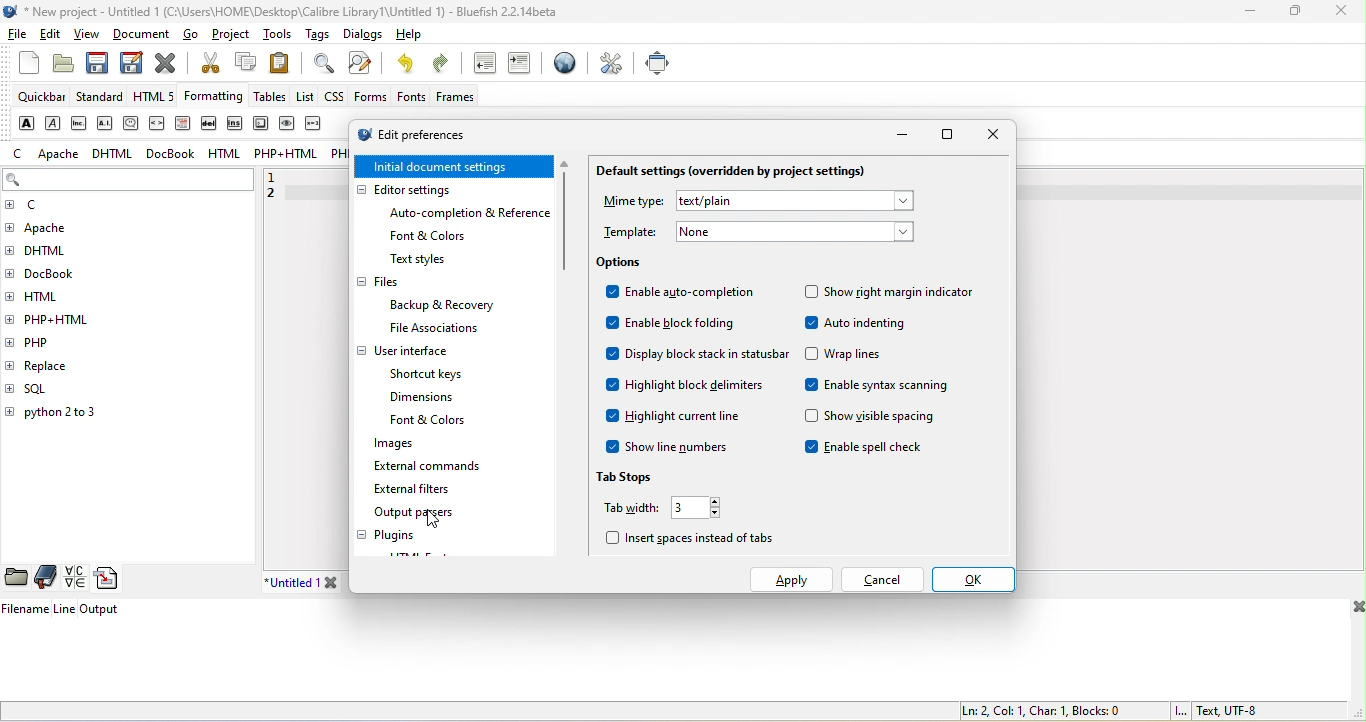 Image resolution: width=1366 pixels, height=722 pixels. What do you see at coordinates (47, 389) in the screenshot?
I see `sql` at bounding box center [47, 389].